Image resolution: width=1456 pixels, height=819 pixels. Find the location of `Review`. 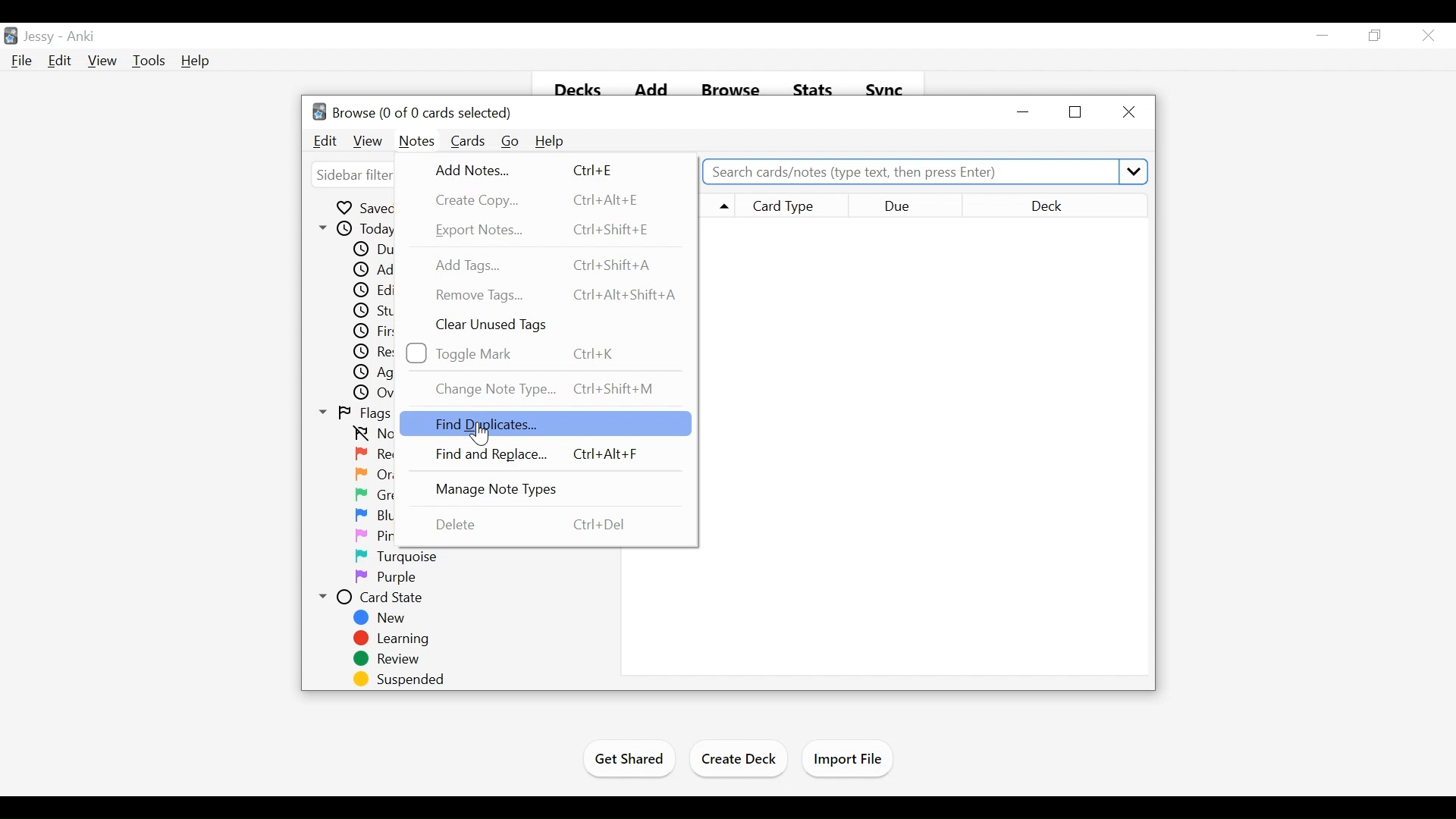

Review is located at coordinates (386, 660).